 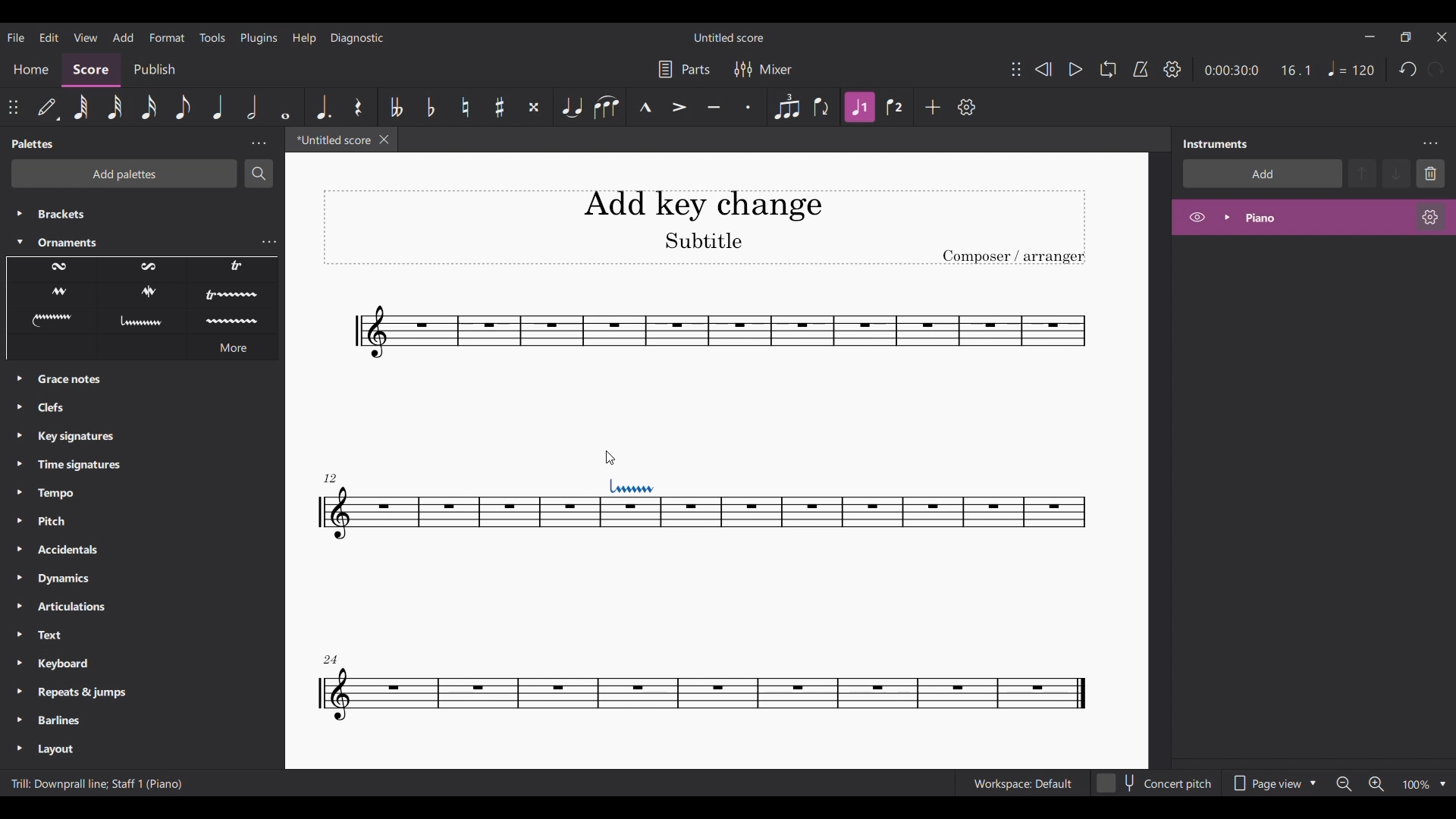 I want to click on Augmentation dot, so click(x=323, y=107).